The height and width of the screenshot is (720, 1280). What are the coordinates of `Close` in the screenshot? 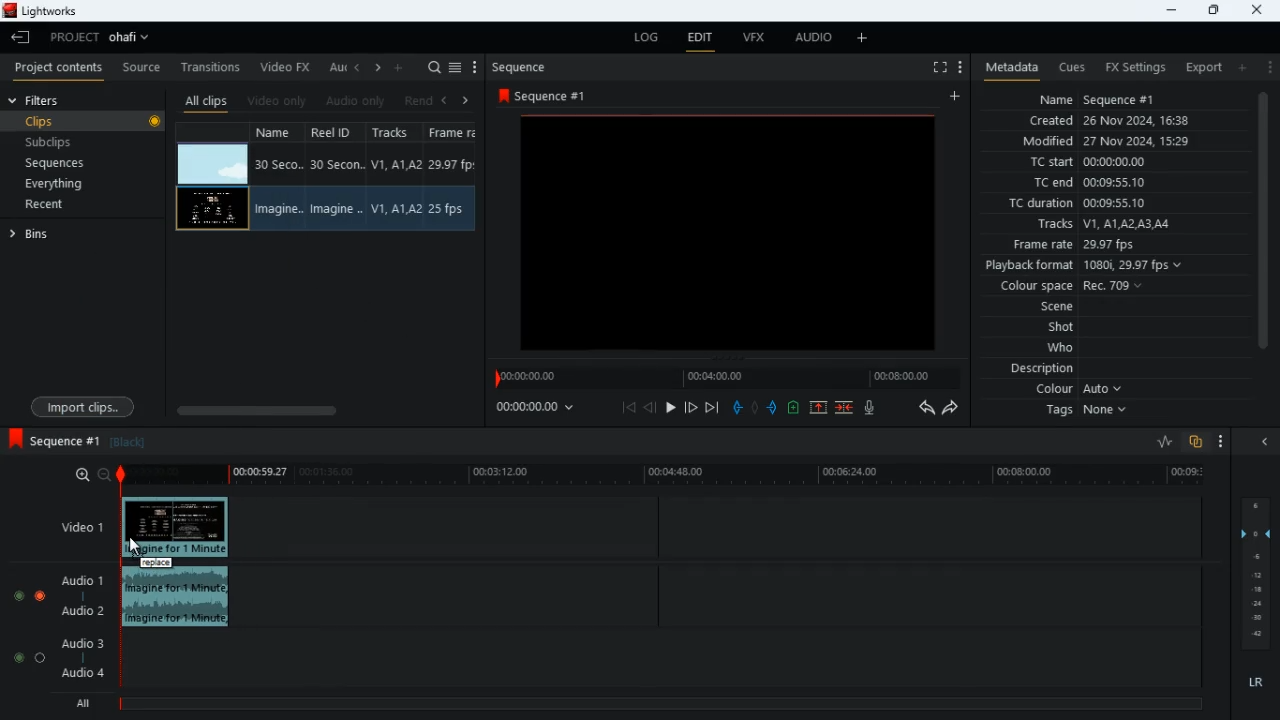 It's located at (1258, 10).